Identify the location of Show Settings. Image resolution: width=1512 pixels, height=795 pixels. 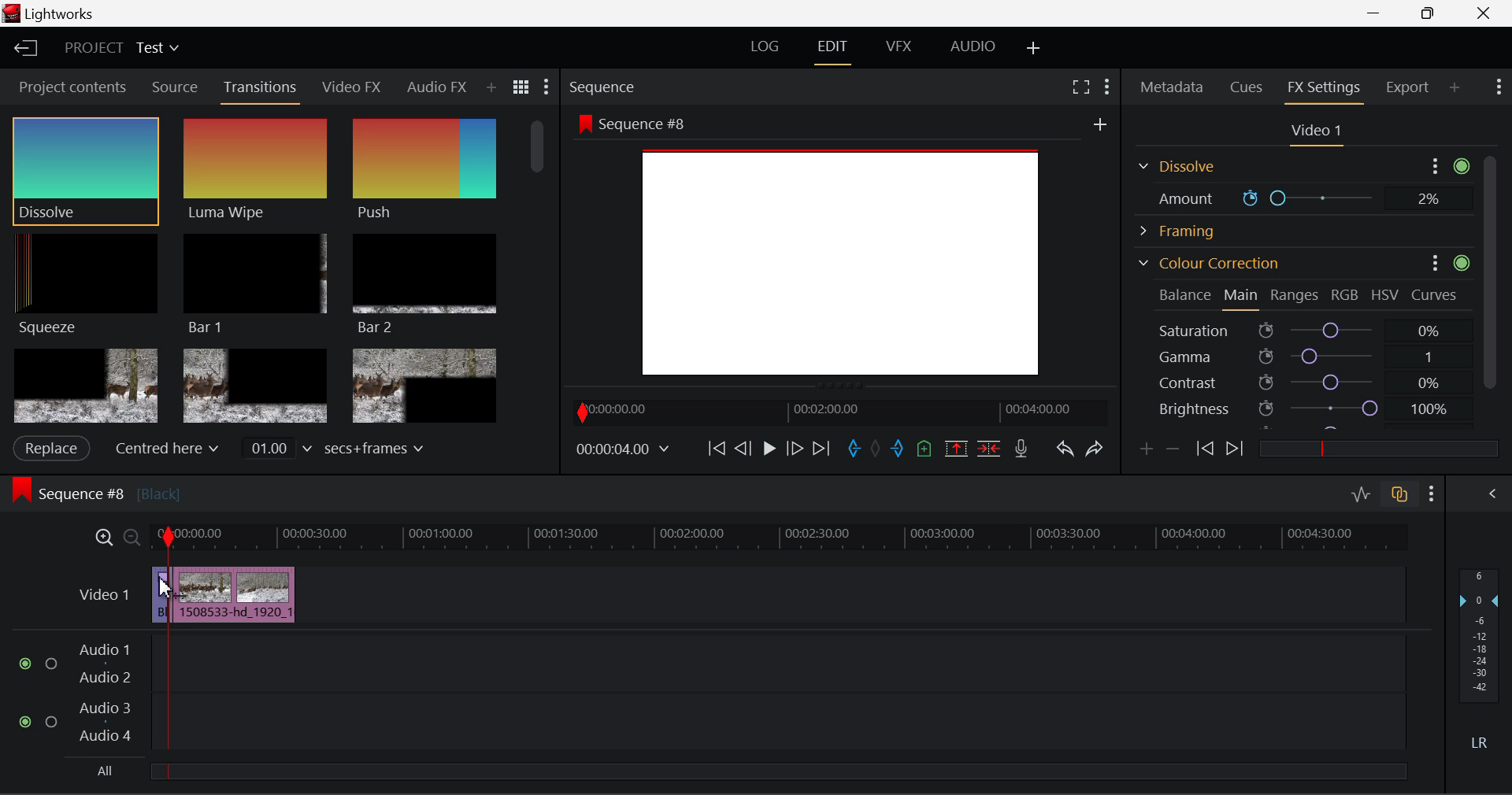
(545, 91).